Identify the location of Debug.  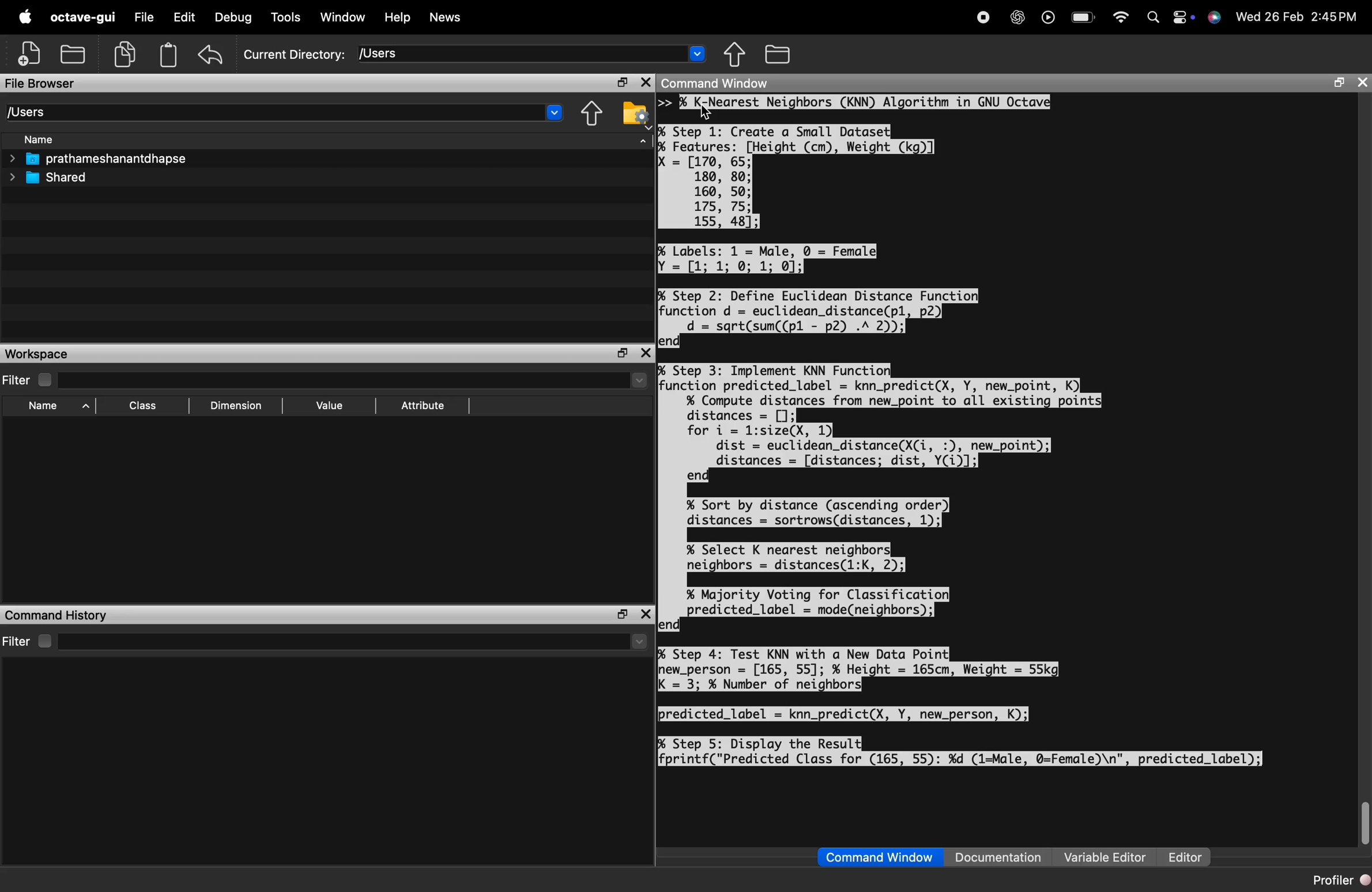
(235, 17).